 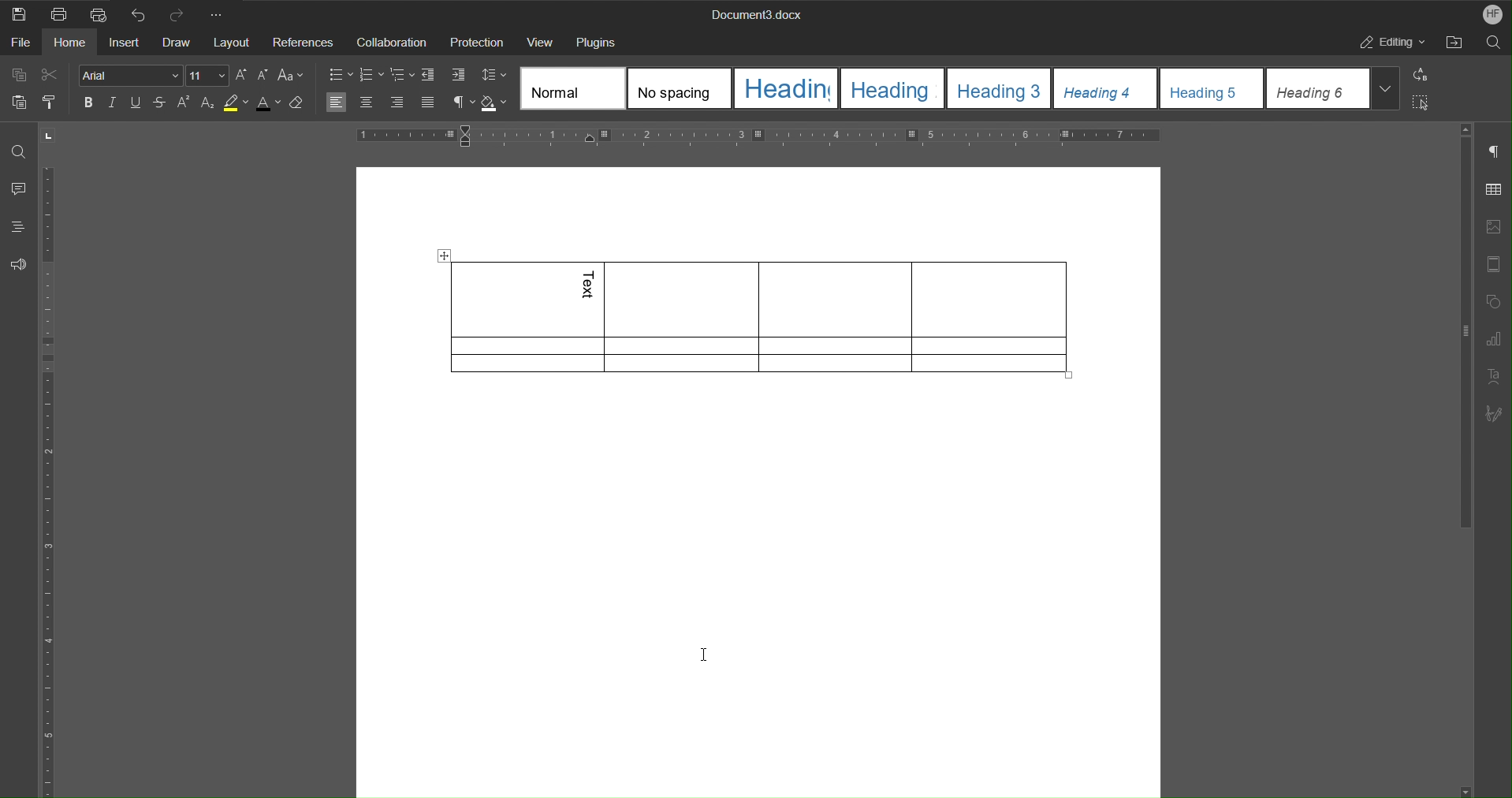 What do you see at coordinates (893, 88) in the screenshot?
I see `Heading 2` at bounding box center [893, 88].